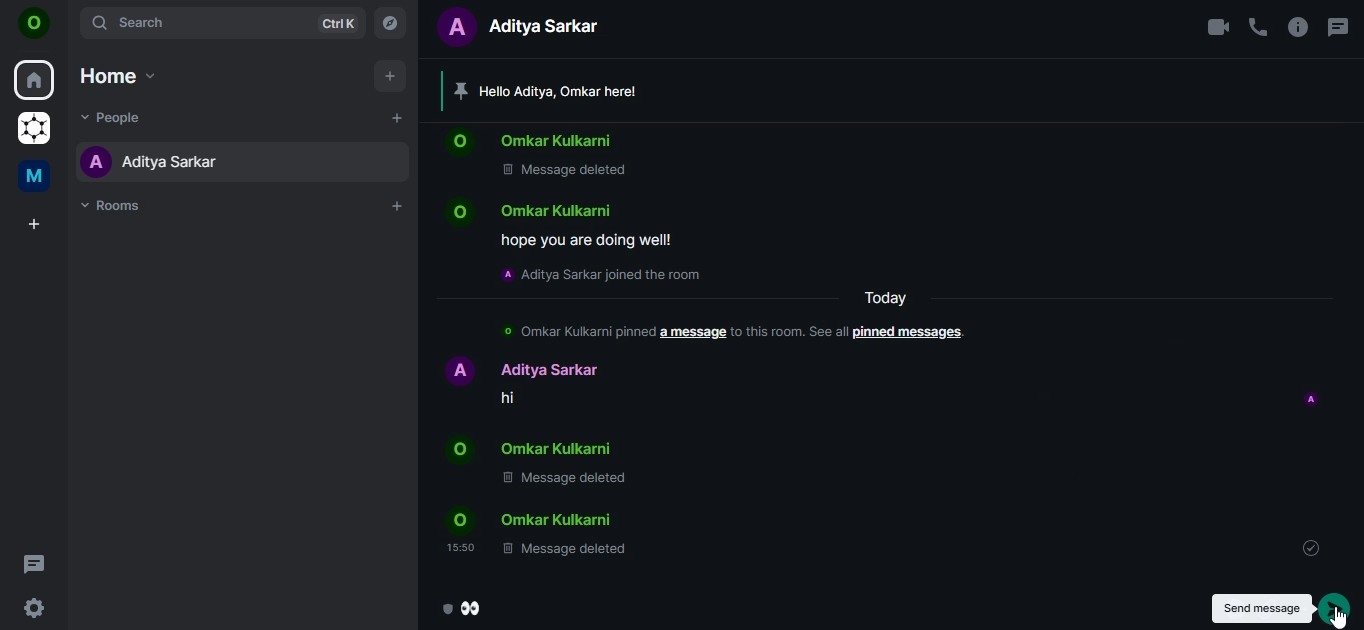  I want to click on aditya sarkar, so click(148, 161).